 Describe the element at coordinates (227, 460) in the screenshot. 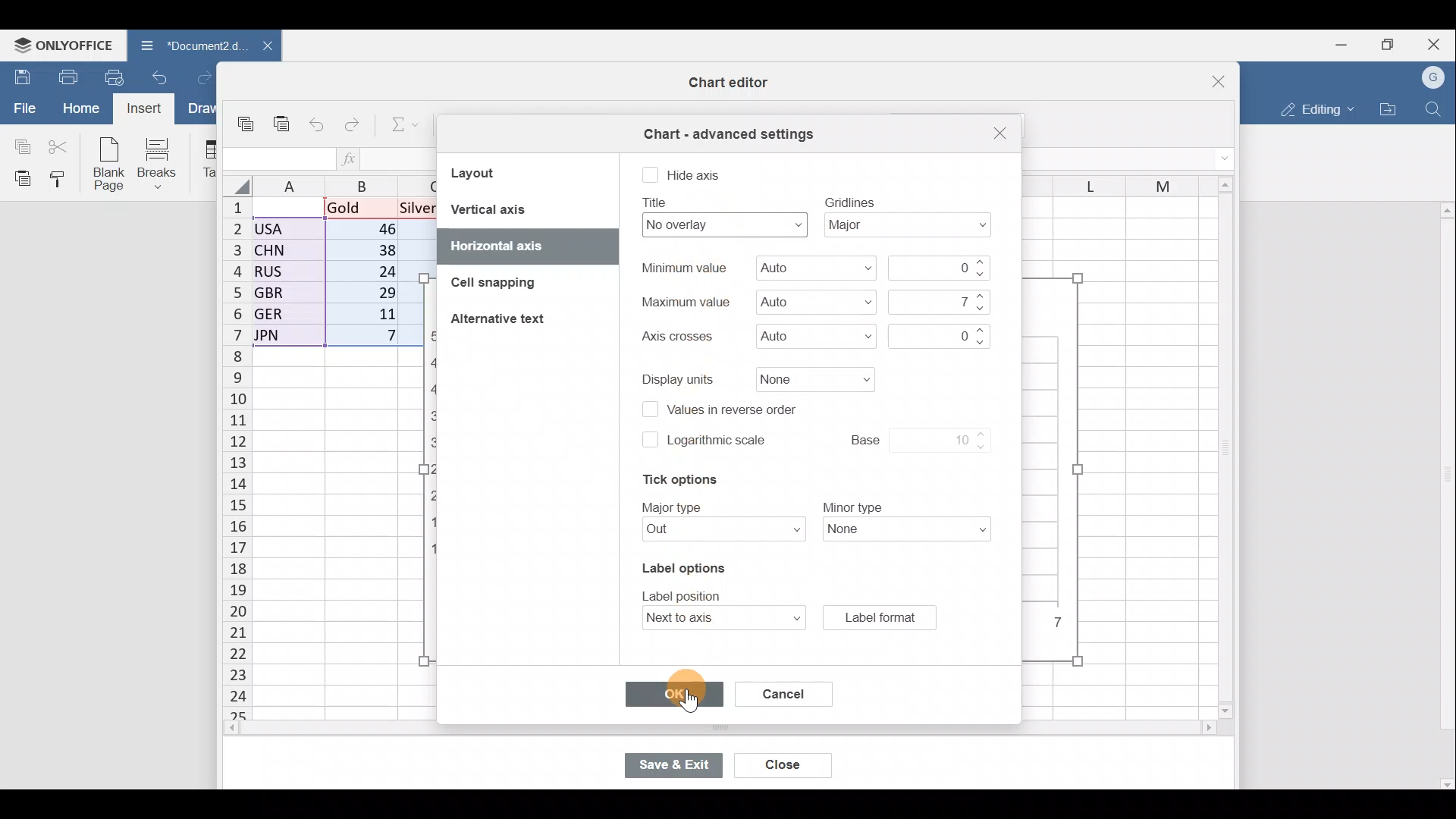

I see `Rows` at that location.